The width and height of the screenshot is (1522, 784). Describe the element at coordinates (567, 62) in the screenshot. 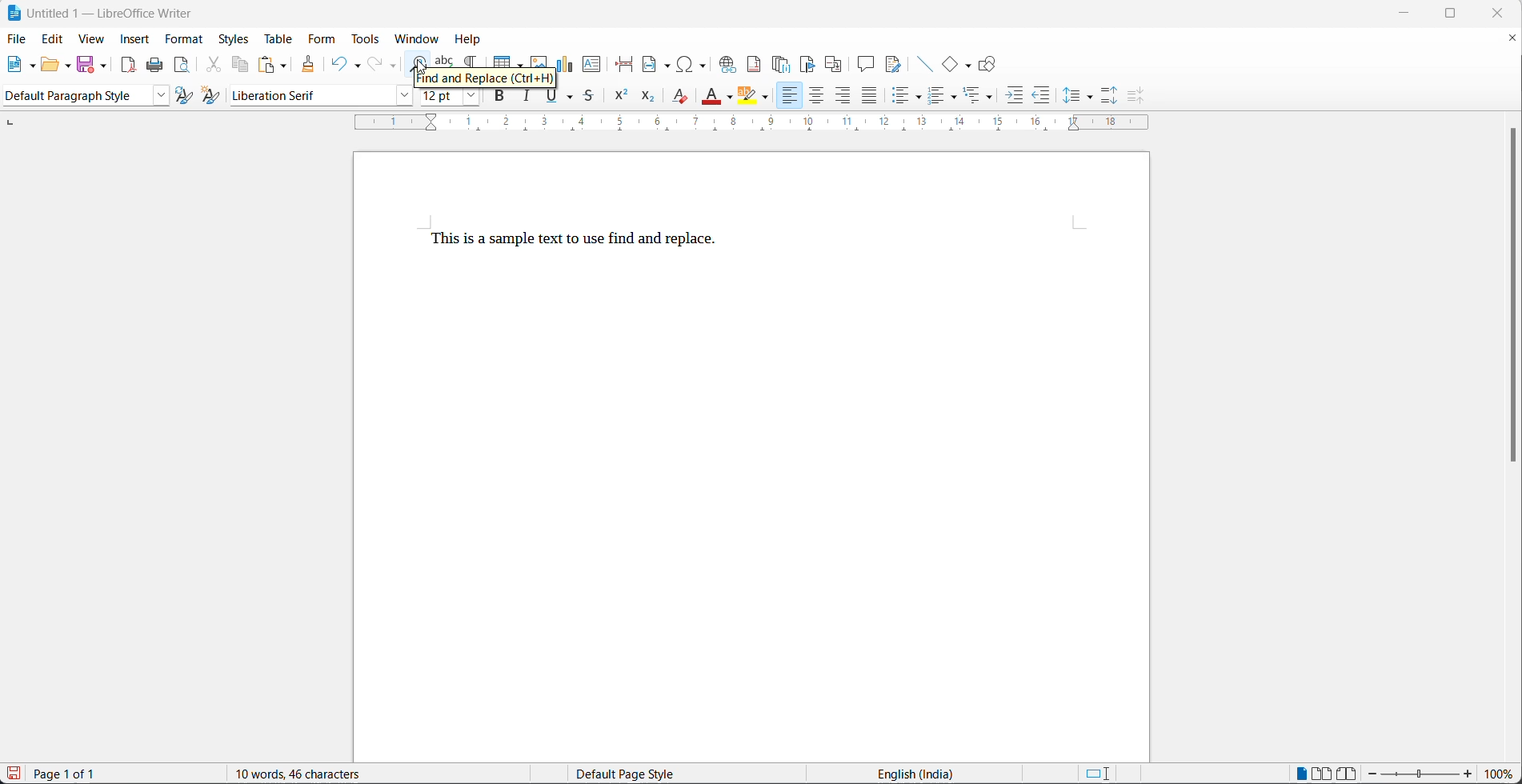

I see `insert chart` at that location.